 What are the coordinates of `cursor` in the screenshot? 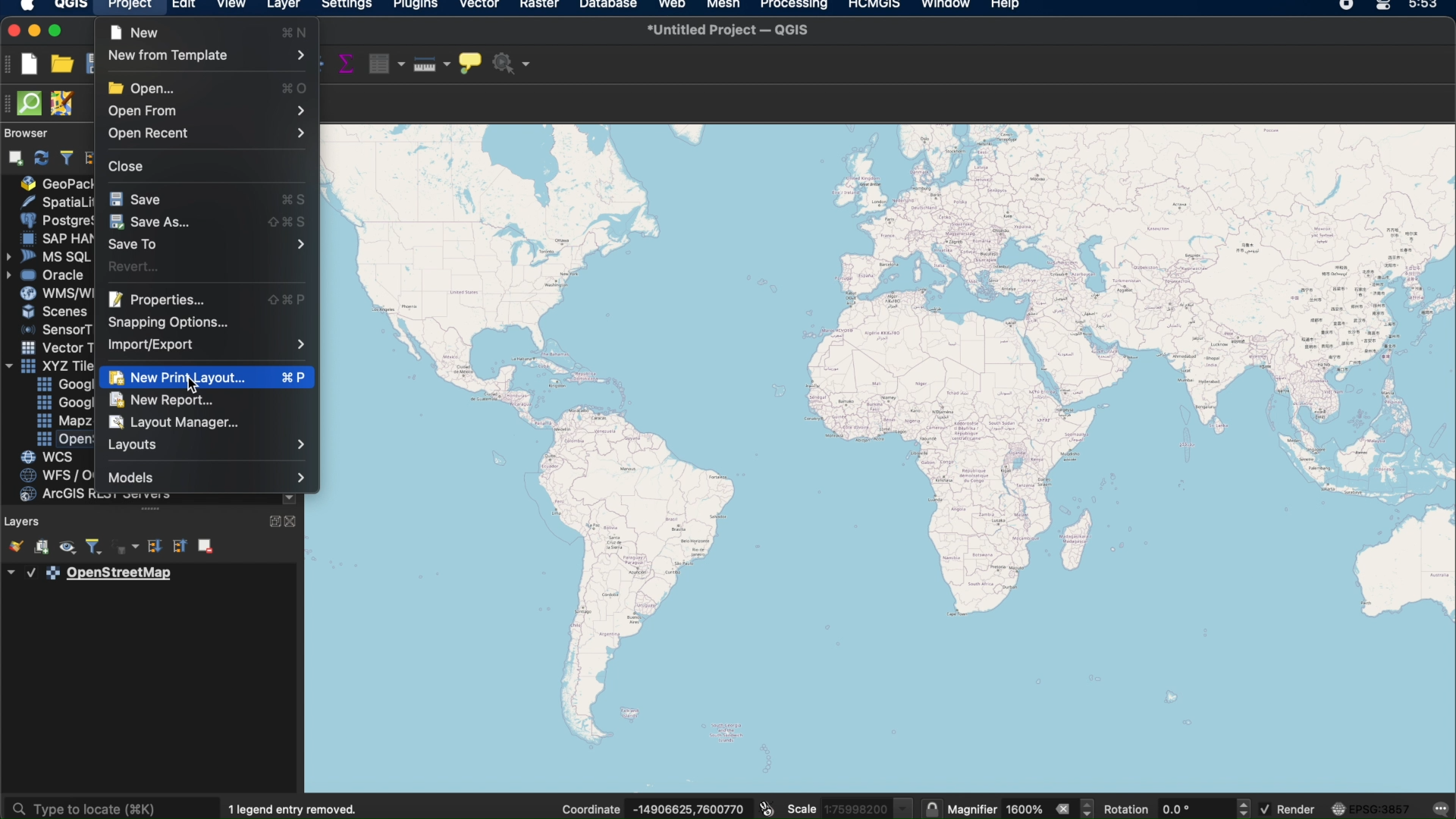 It's located at (196, 384).